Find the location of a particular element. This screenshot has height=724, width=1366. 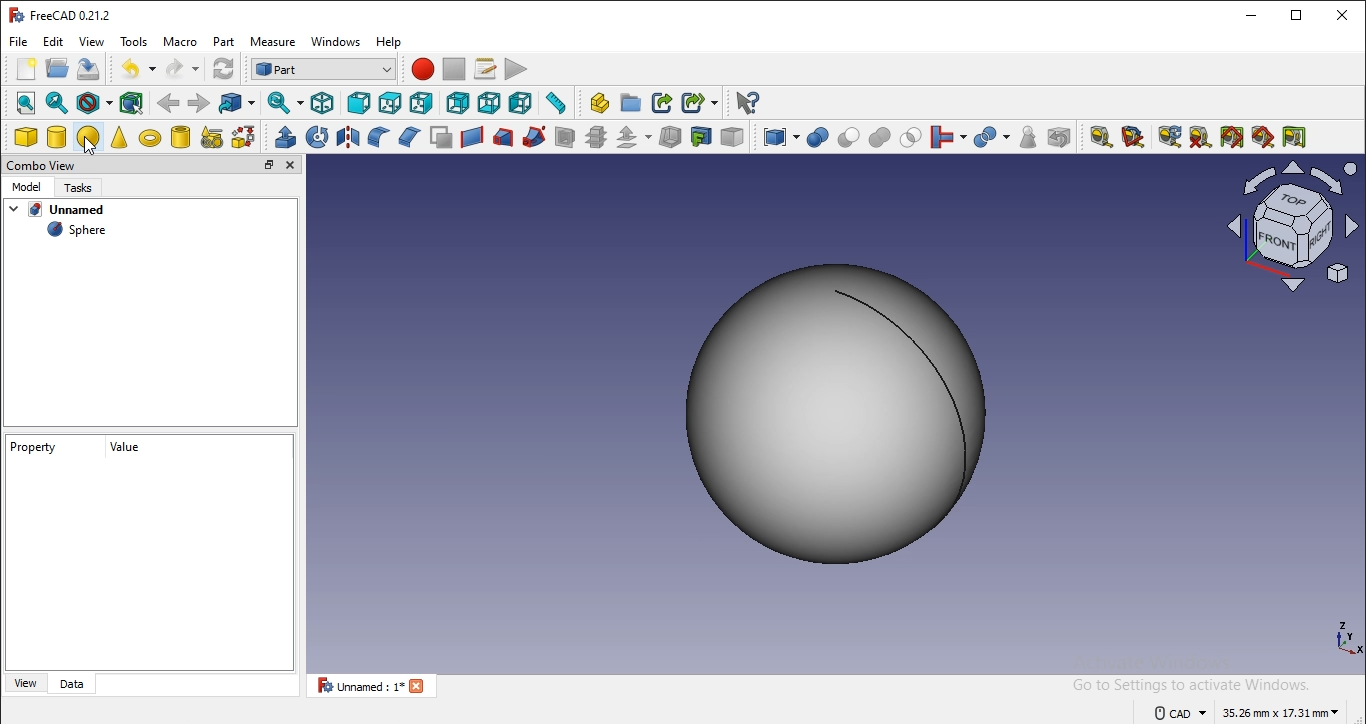

fit selection is located at coordinates (55, 102).